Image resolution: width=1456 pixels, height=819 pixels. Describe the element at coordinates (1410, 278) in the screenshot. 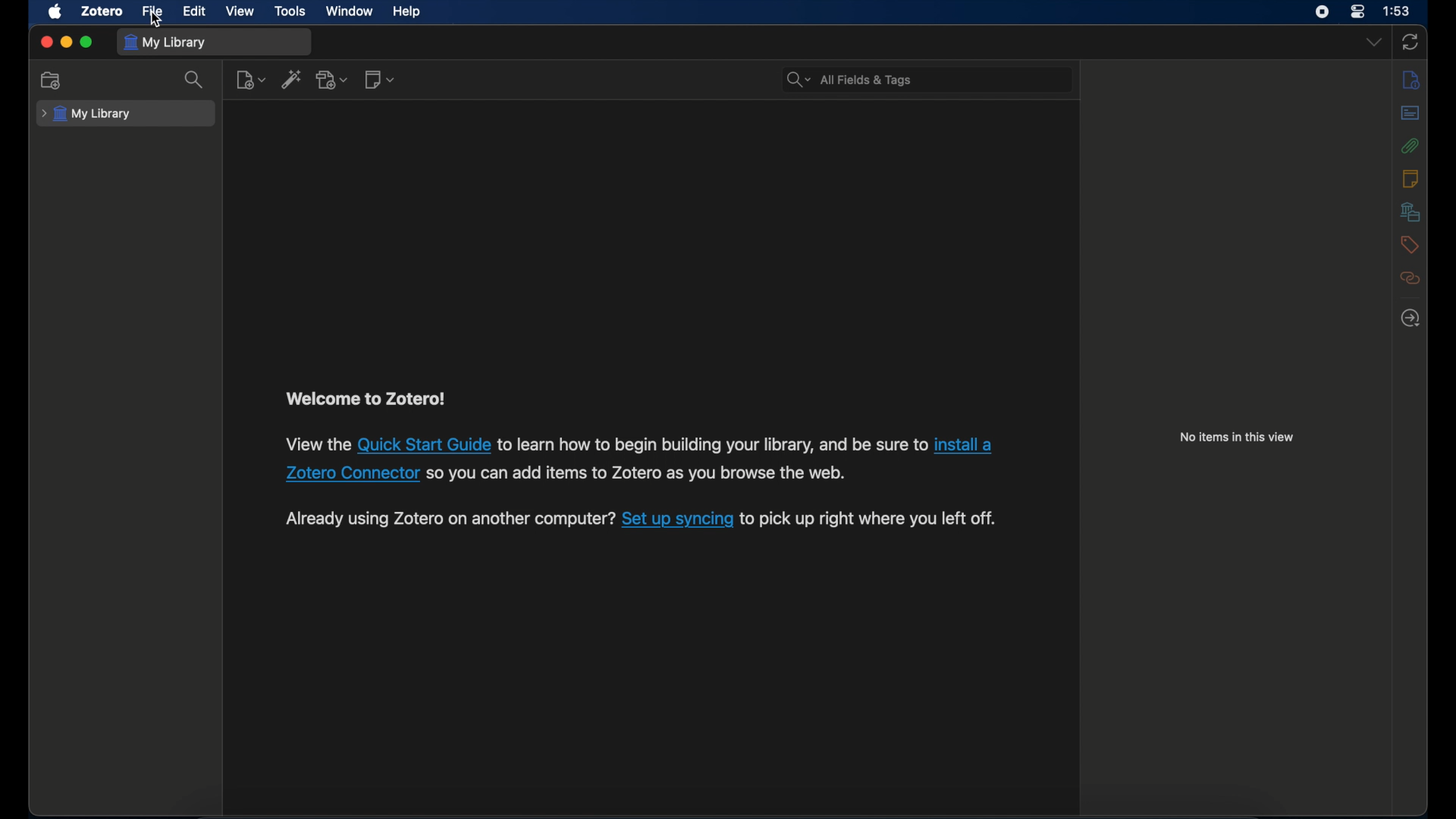

I see `related` at that location.